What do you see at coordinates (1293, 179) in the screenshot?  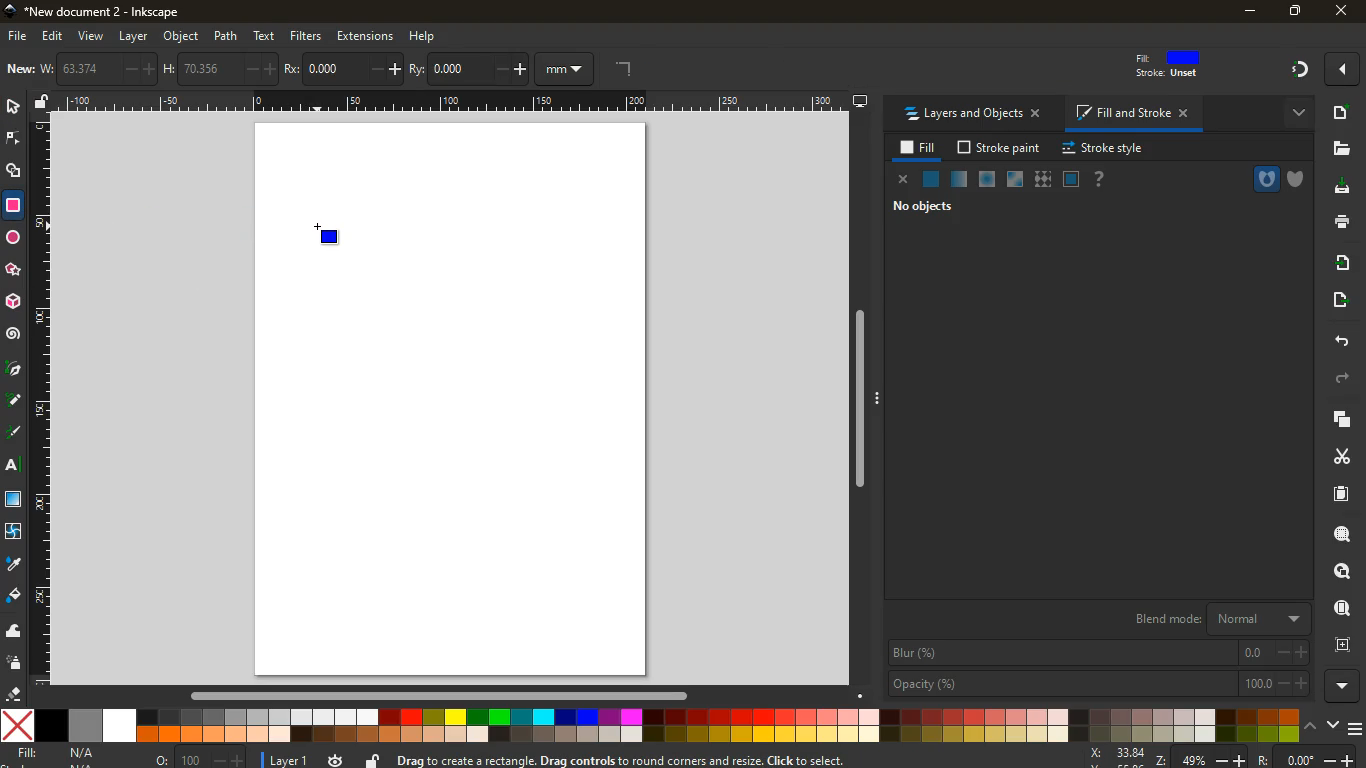 I see `shield` at bounding box center [1293, 179].